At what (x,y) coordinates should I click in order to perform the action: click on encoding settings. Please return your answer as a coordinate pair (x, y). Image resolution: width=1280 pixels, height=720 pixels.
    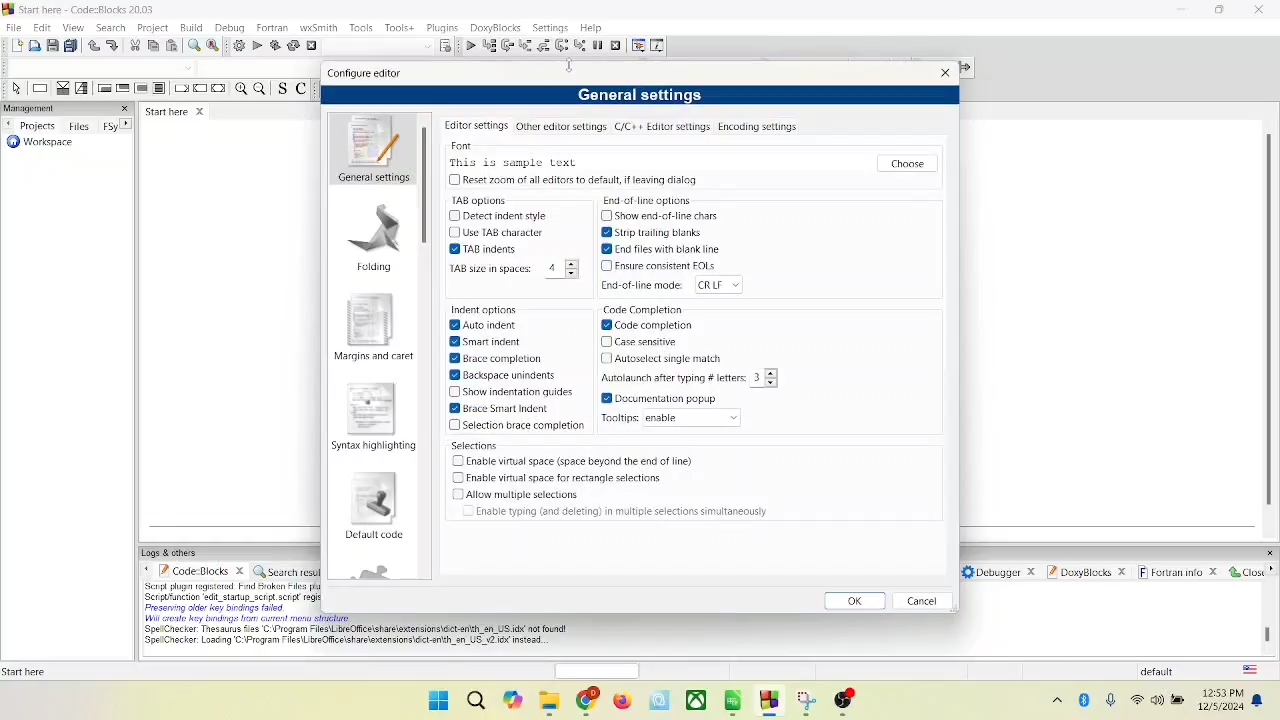
    Looking at the image, I should click on (757, 127).